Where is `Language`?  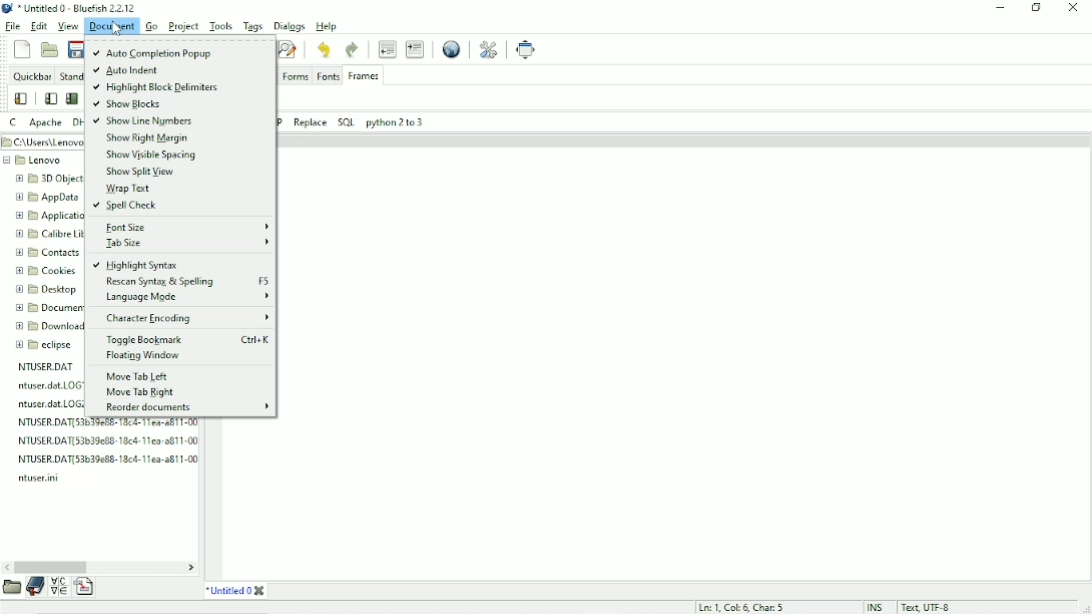
Language is located at coordinates (86, 588).